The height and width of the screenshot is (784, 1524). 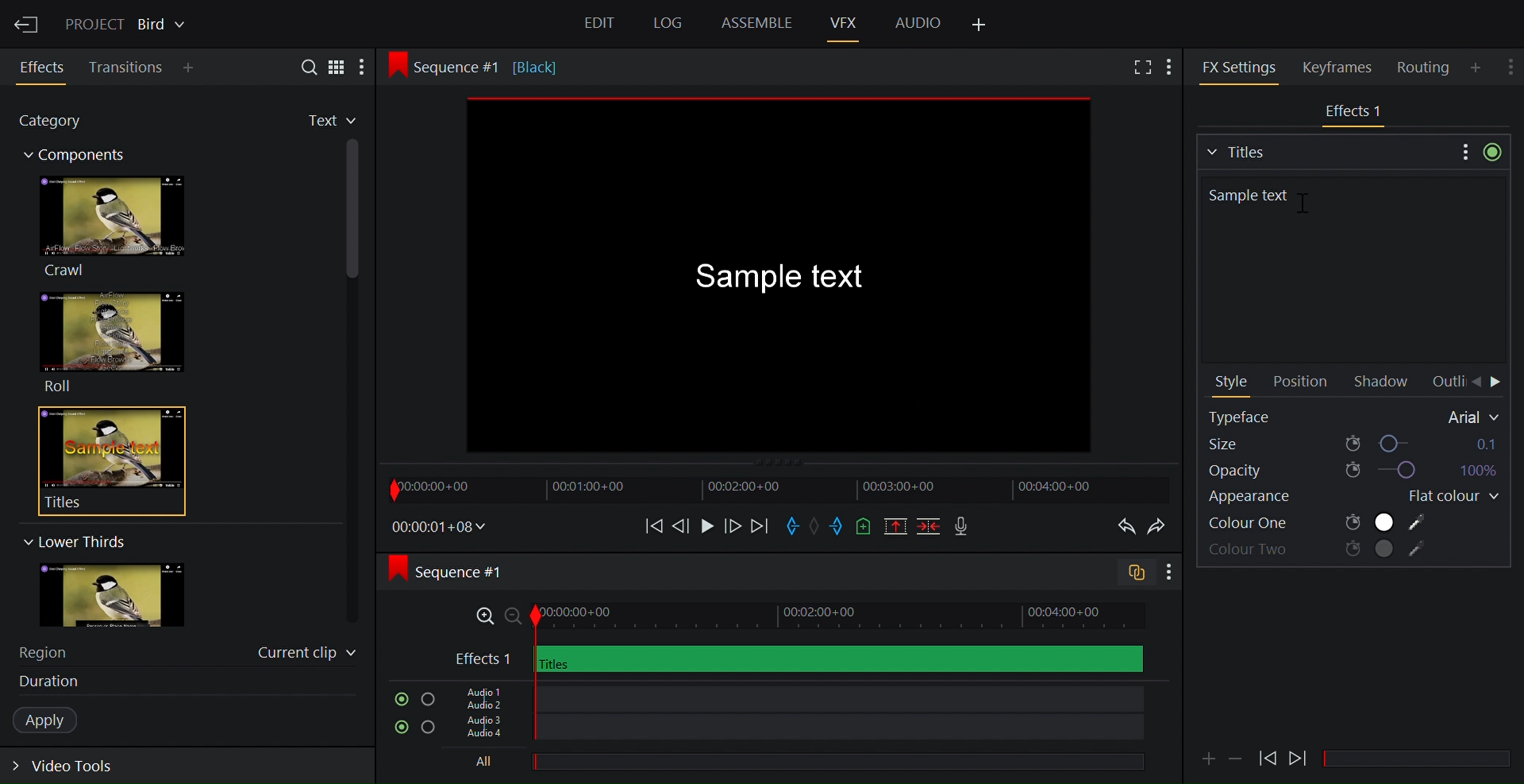 I want to click on FX Settings, so click(x=1239, y=67).